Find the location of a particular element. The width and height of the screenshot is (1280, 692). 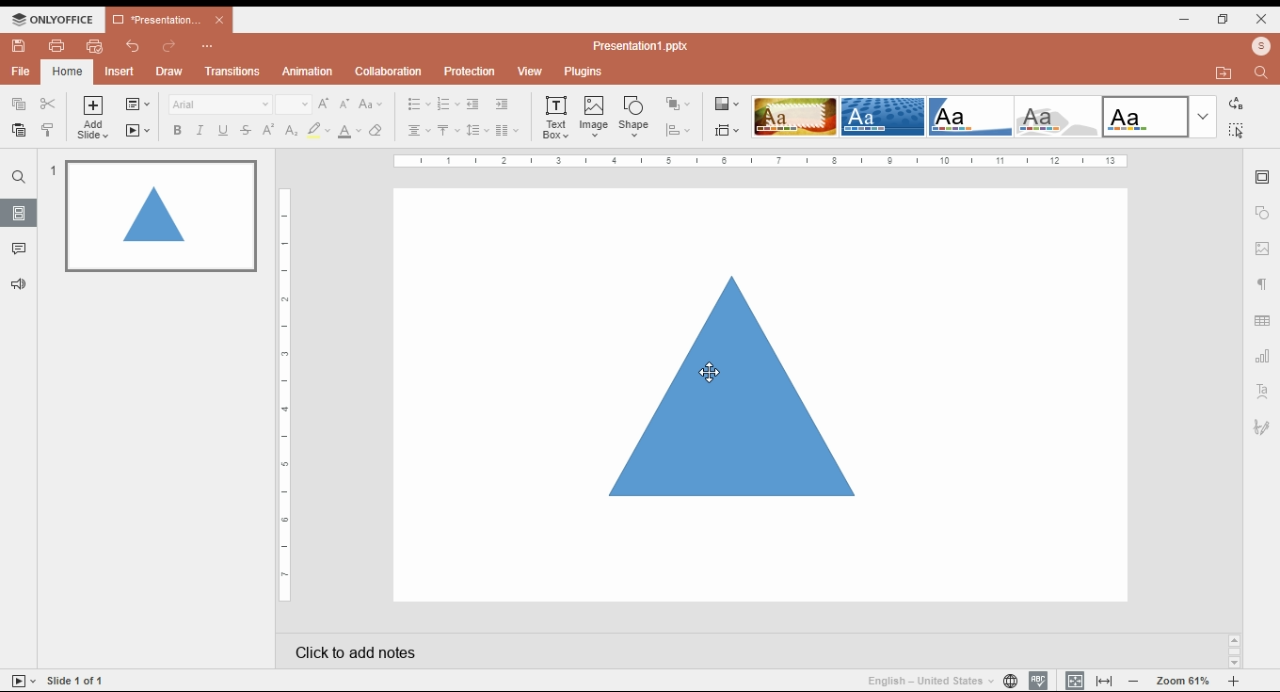

suggesstions and feedback is located at coordinates (20, 285).